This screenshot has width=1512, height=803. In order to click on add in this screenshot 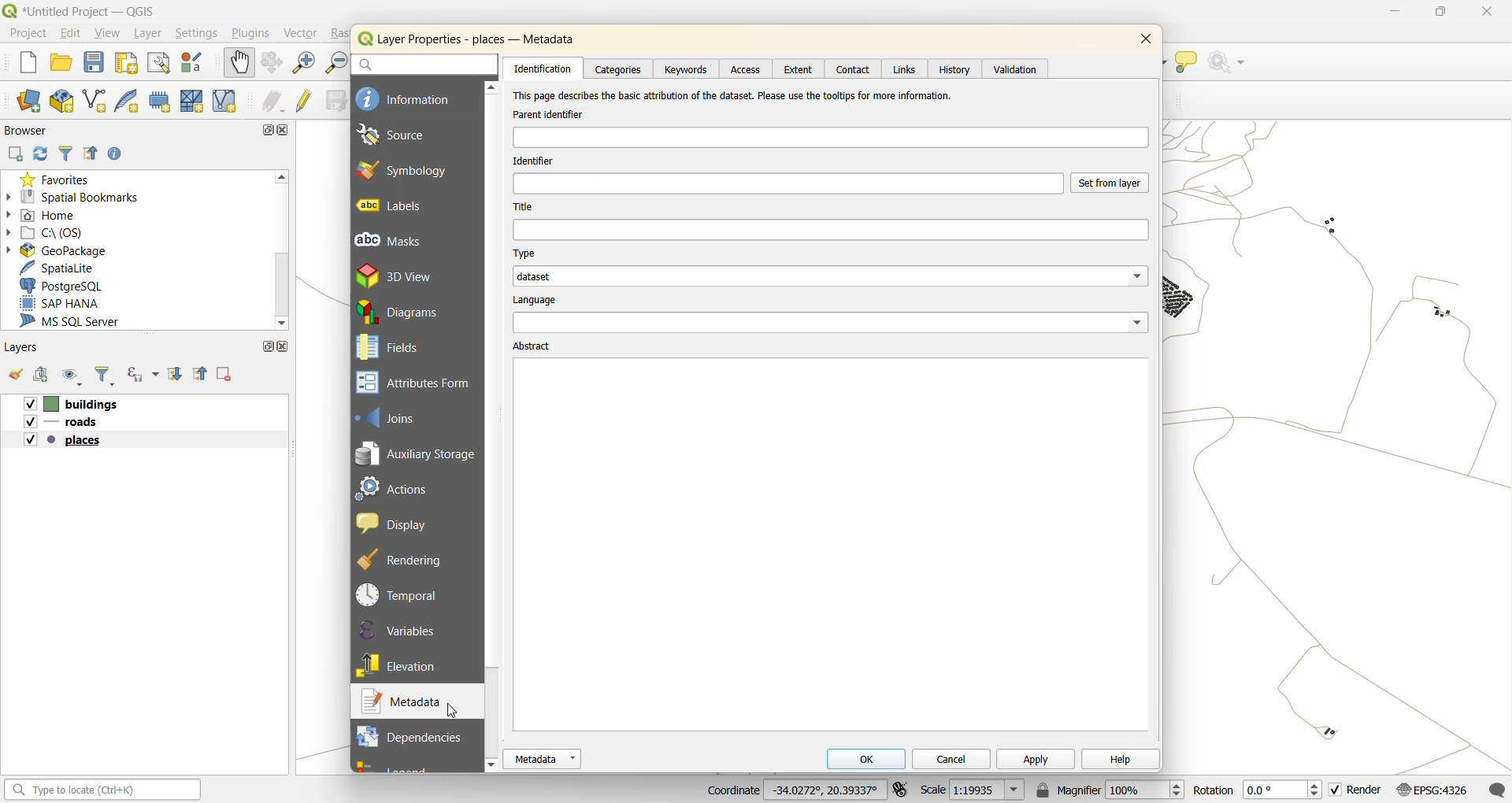, I will do `click(14, 154)`.